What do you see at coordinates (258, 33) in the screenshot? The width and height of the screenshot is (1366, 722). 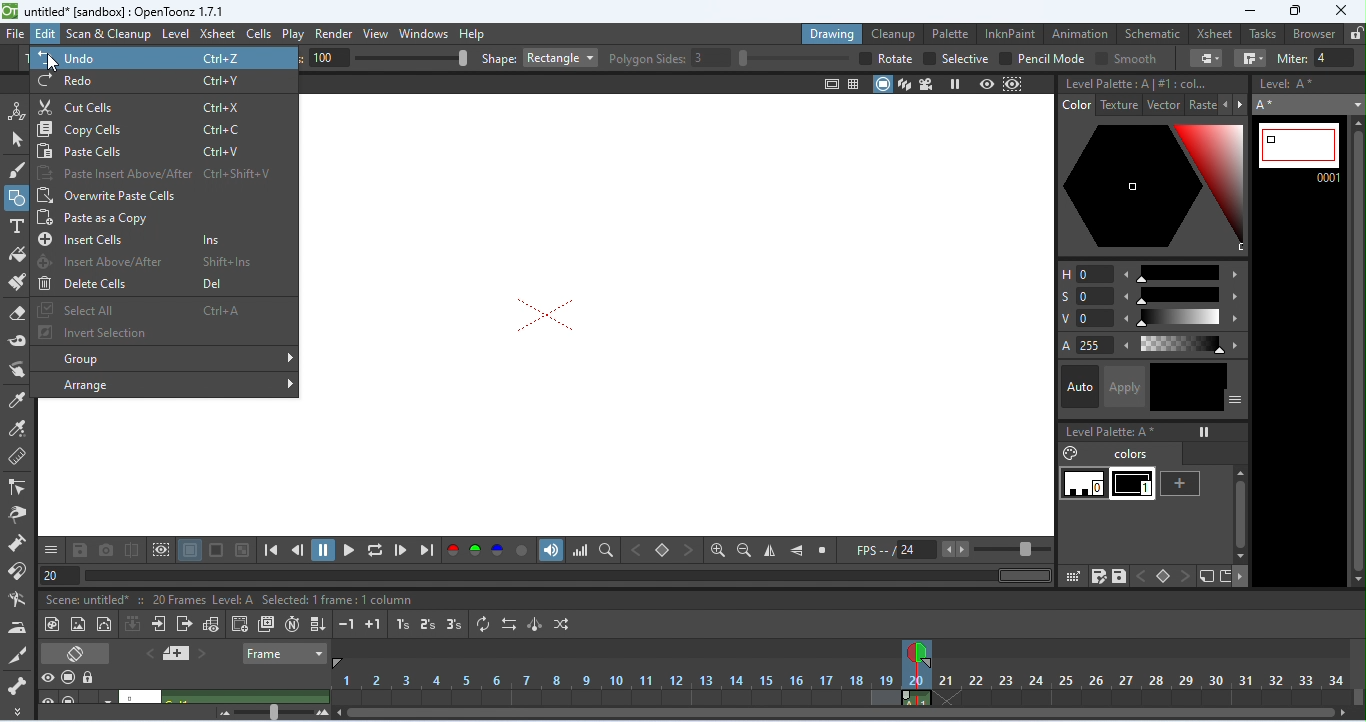 I see `cells` at bounding box center [258, 33].